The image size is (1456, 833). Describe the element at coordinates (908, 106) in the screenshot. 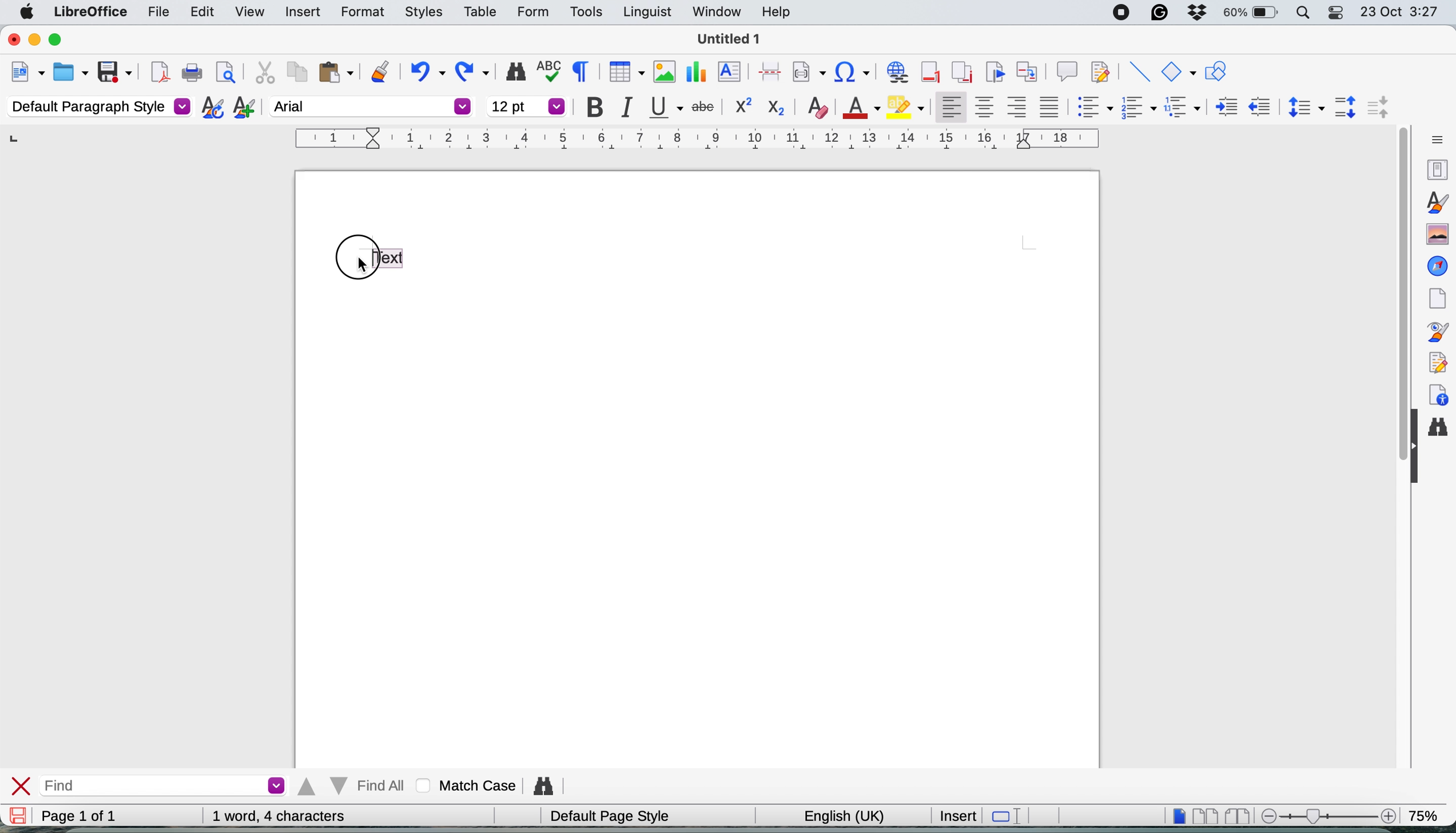

I see `fill color` at that location.